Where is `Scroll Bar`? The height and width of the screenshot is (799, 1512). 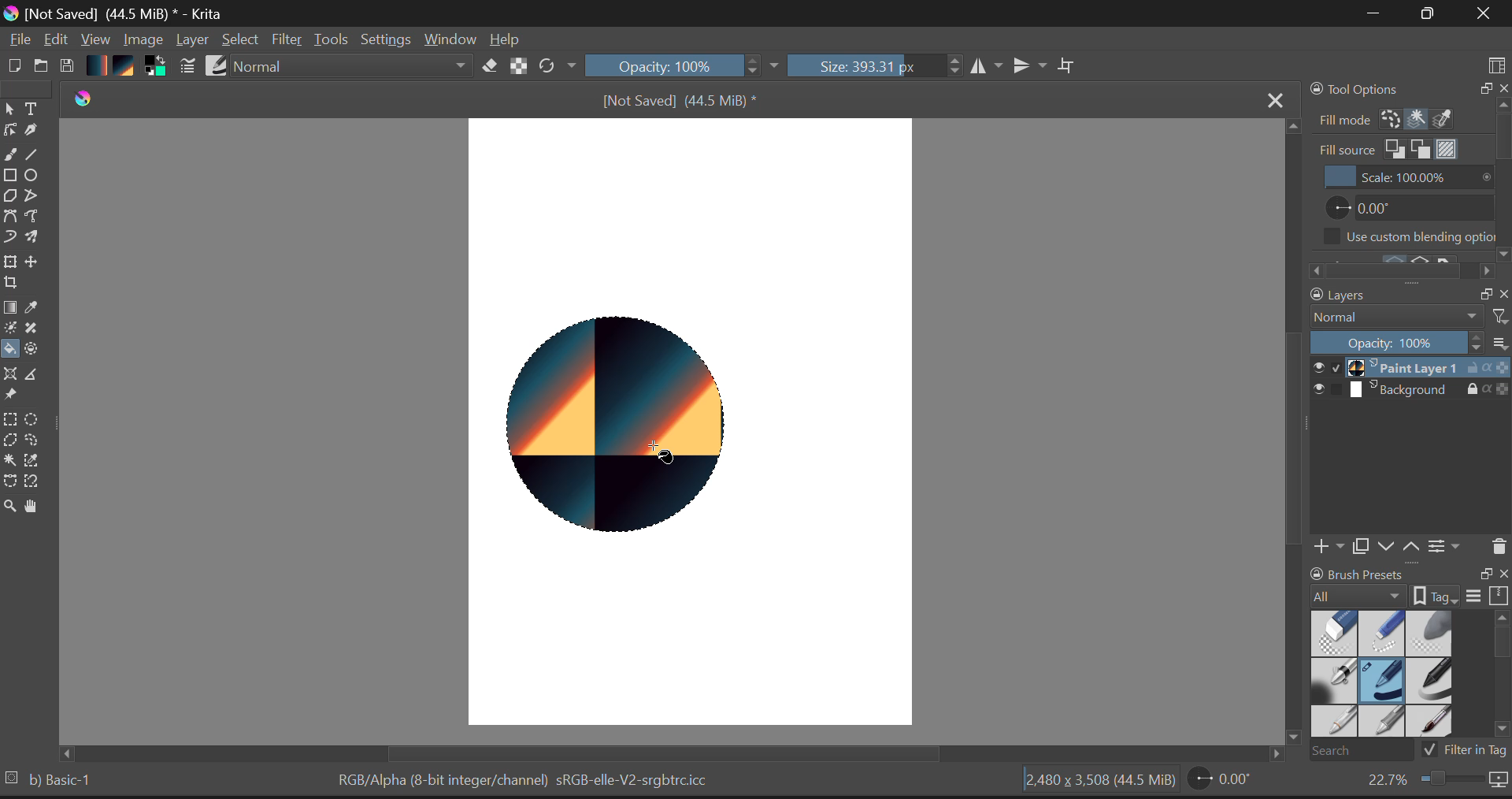
Scroll Bar is located at coordinates (1291, 440).